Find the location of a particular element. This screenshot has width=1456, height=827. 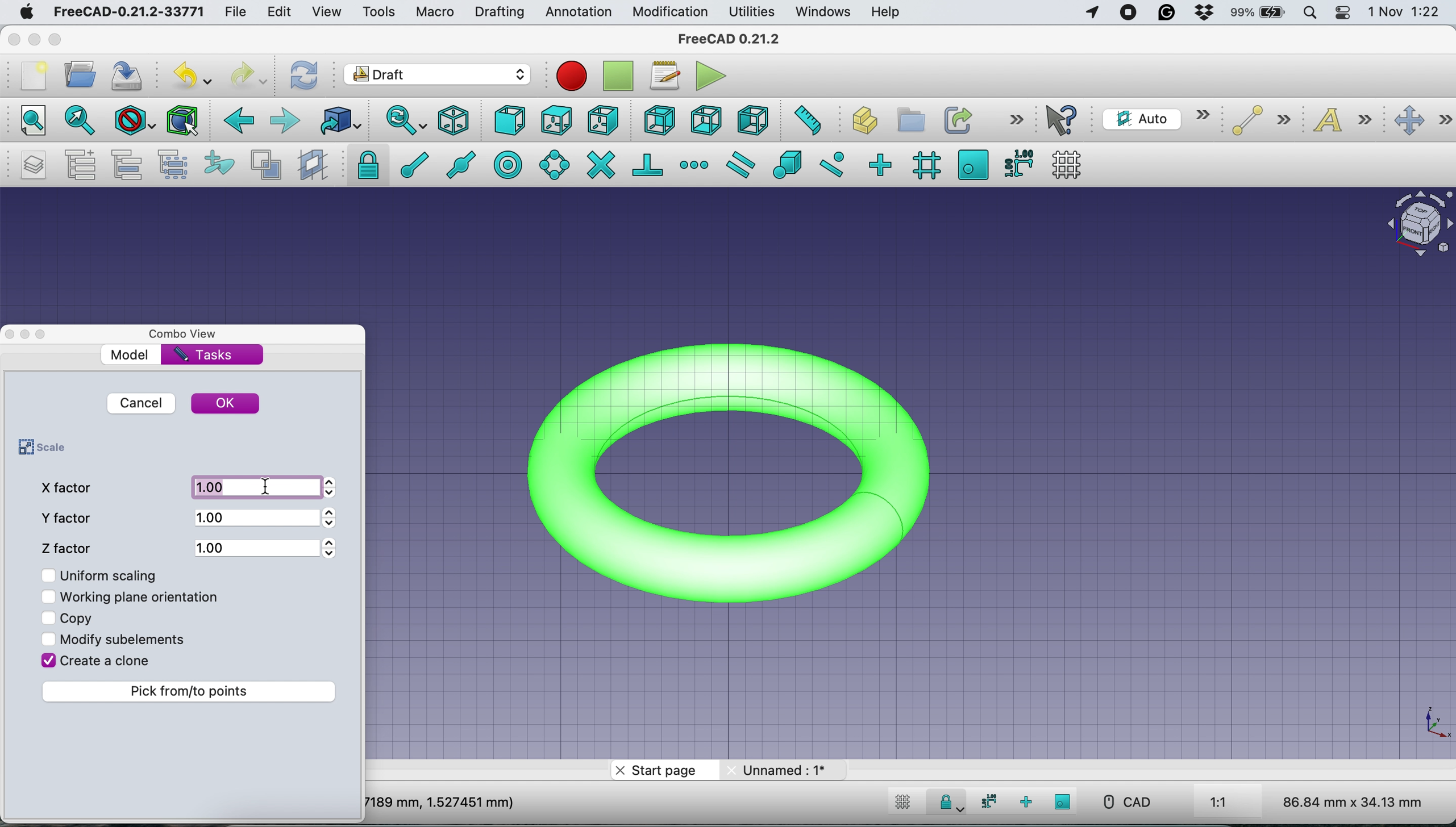

1.00 is located at coordinates (256, 545).